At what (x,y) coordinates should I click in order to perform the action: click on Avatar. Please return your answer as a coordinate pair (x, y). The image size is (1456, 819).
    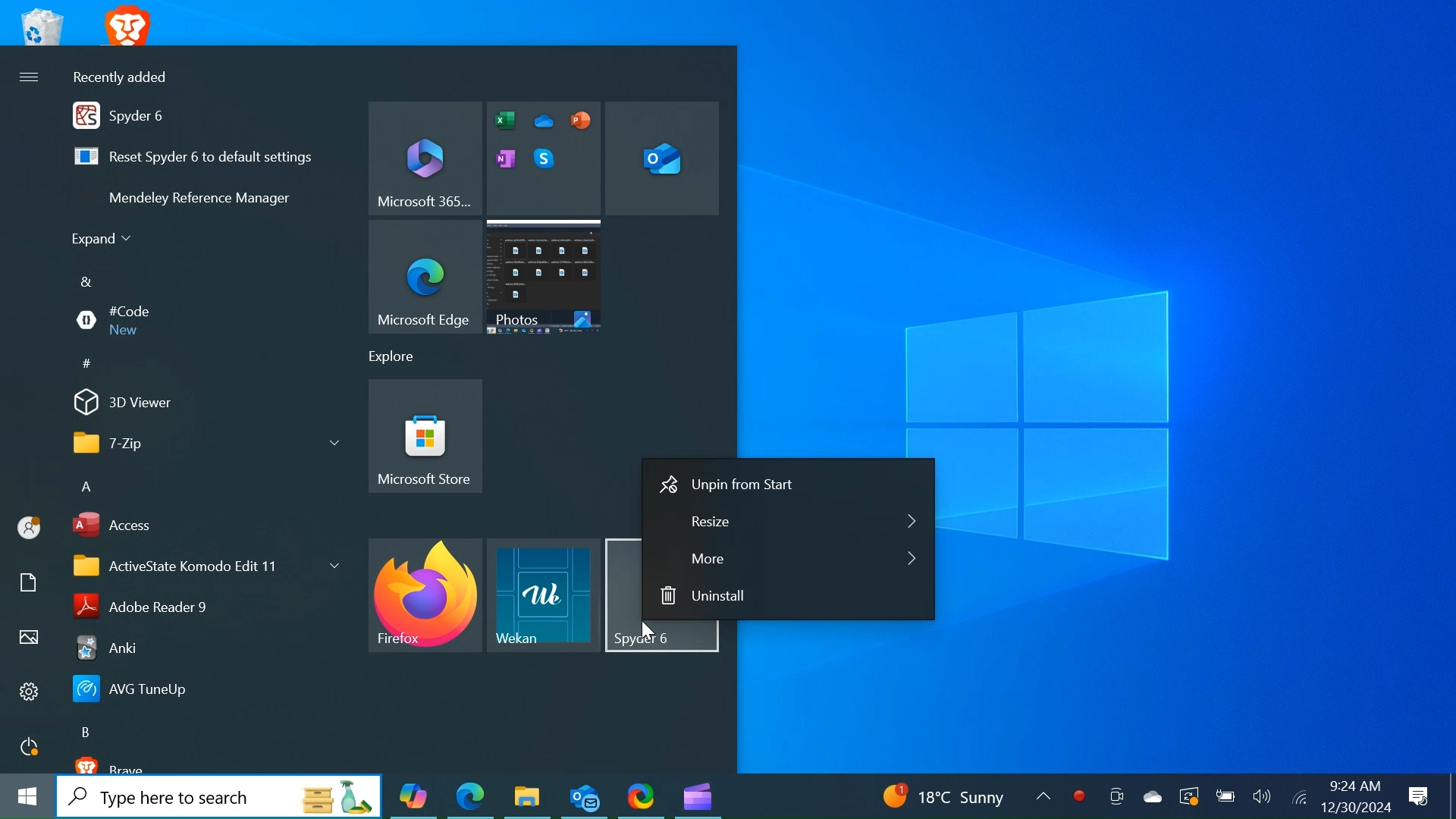
    Looking at the image, I should click on (30, 530).